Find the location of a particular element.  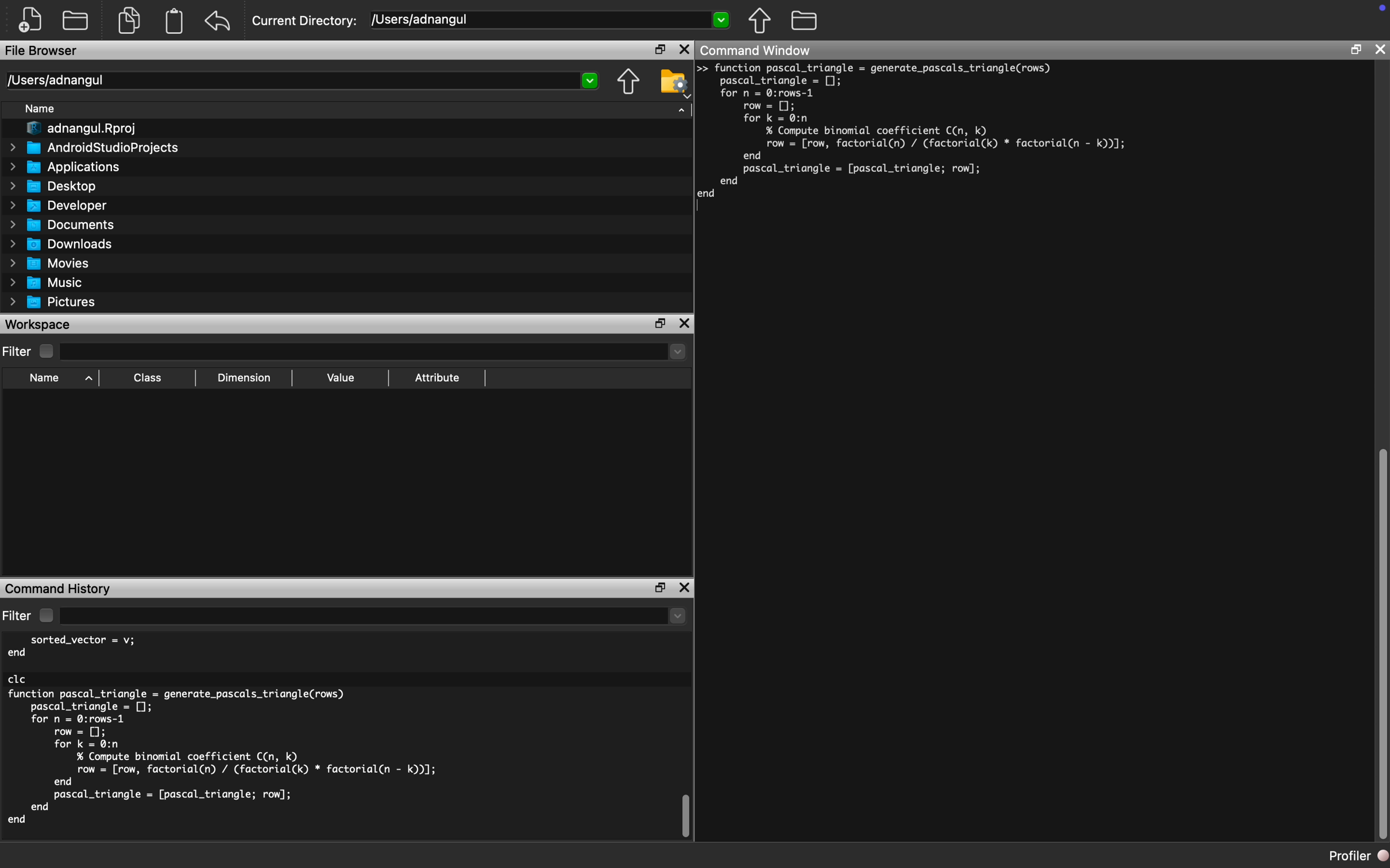

Desktop is located at coordinates (55, 187).